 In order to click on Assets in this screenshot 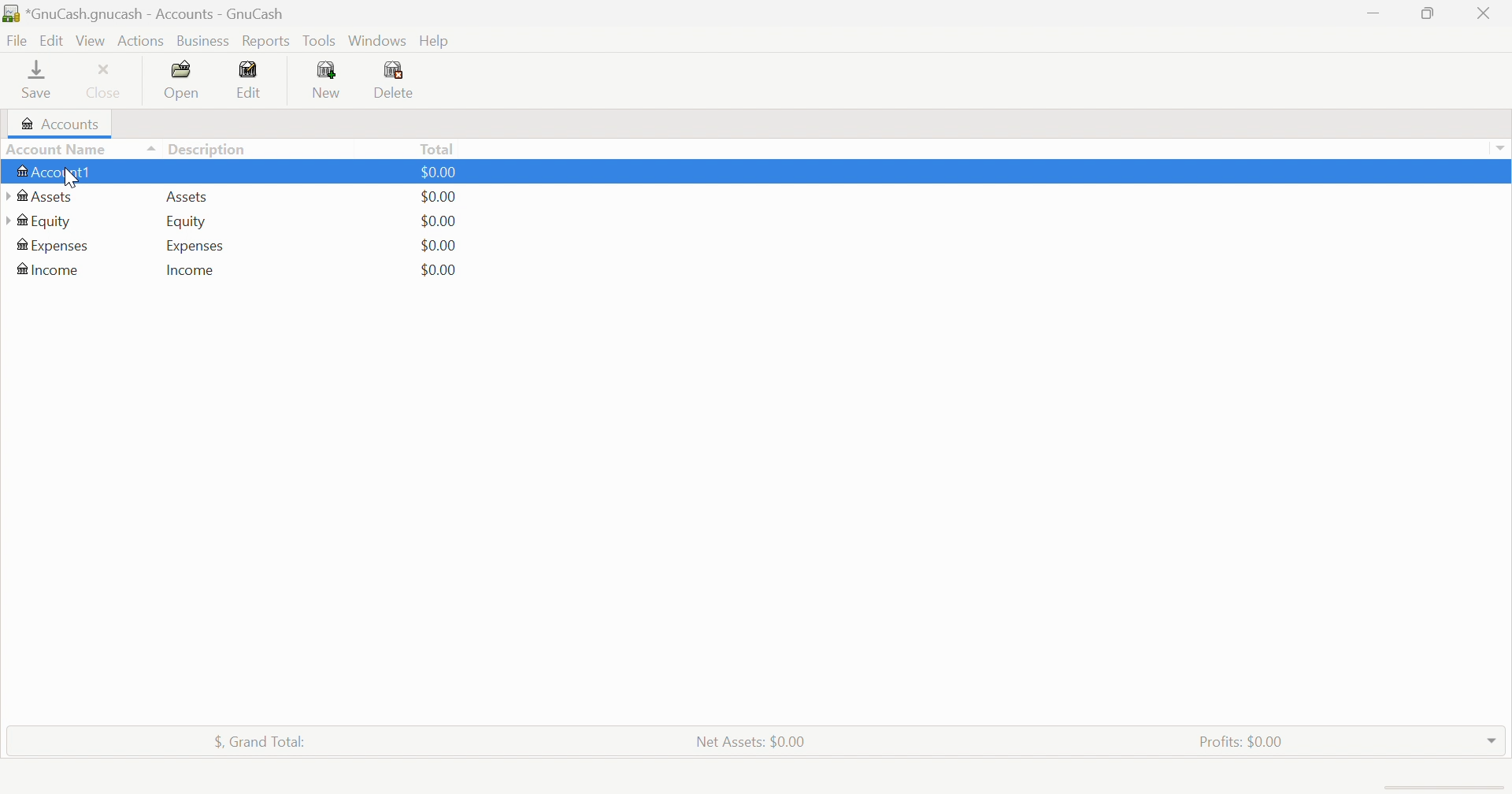, I will do `click(44, 198)`.